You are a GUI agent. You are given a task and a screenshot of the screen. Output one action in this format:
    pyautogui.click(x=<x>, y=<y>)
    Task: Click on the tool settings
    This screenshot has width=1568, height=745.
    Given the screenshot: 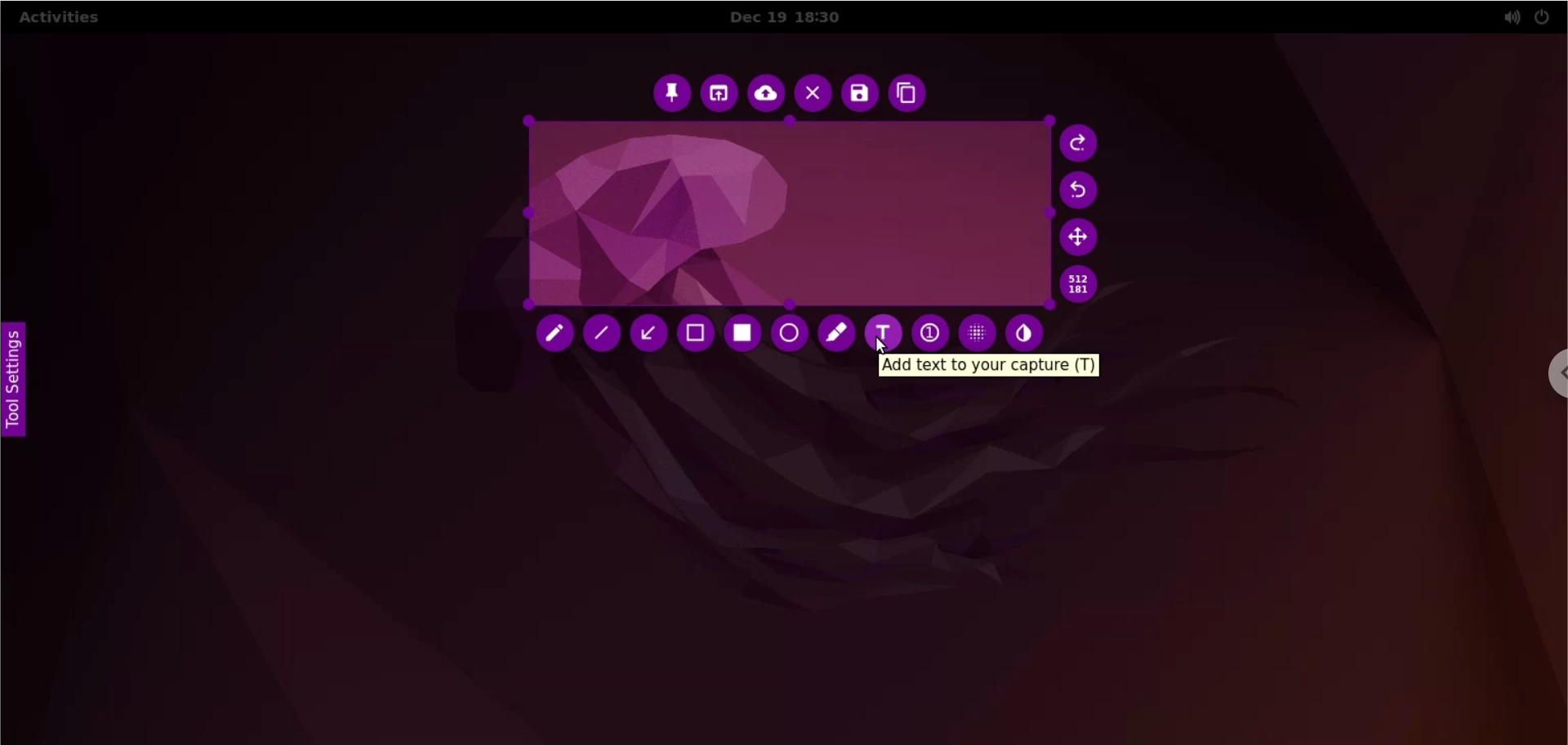 What is the action you would take?
    pyautogui.click(x=24, y=384)
    